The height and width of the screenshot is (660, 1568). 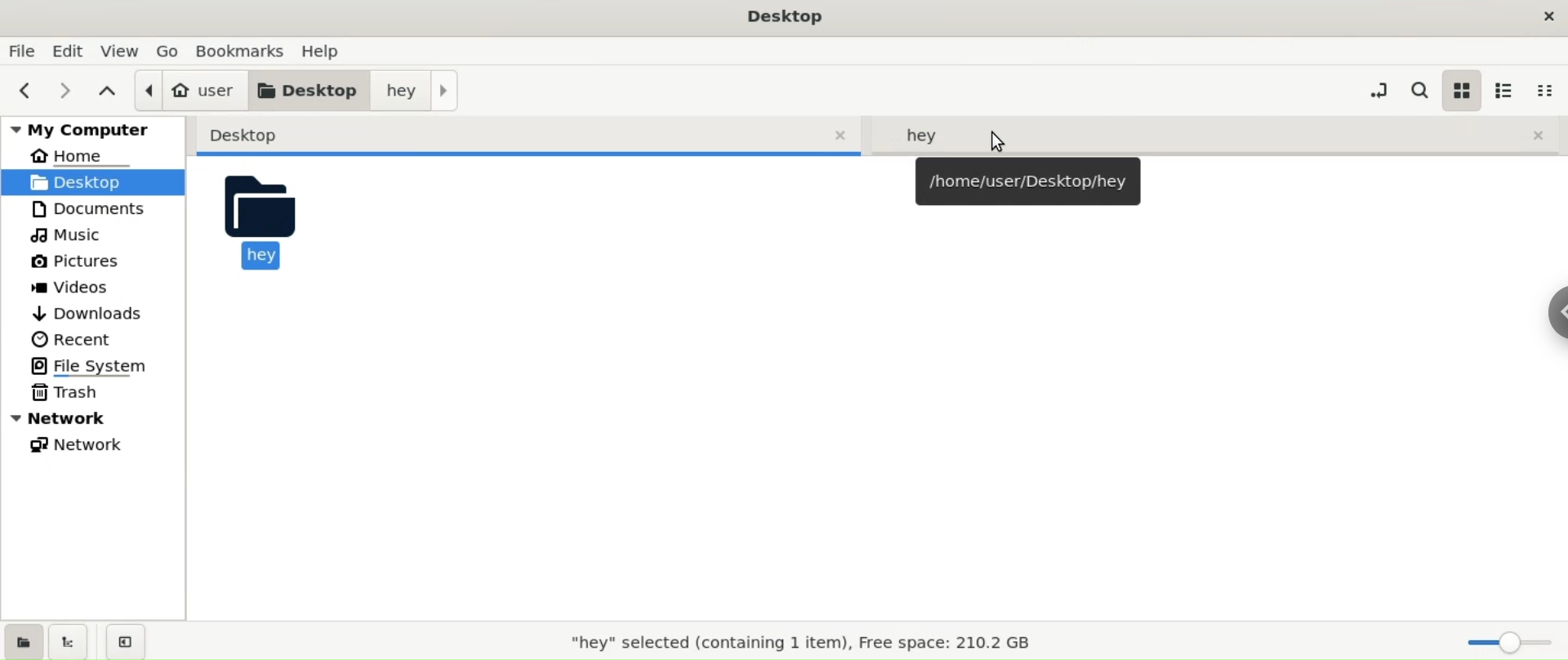 What do you see at coordinates (1540, 14) in the screenshot?
I see `close` at bounding box center [1540, 14].